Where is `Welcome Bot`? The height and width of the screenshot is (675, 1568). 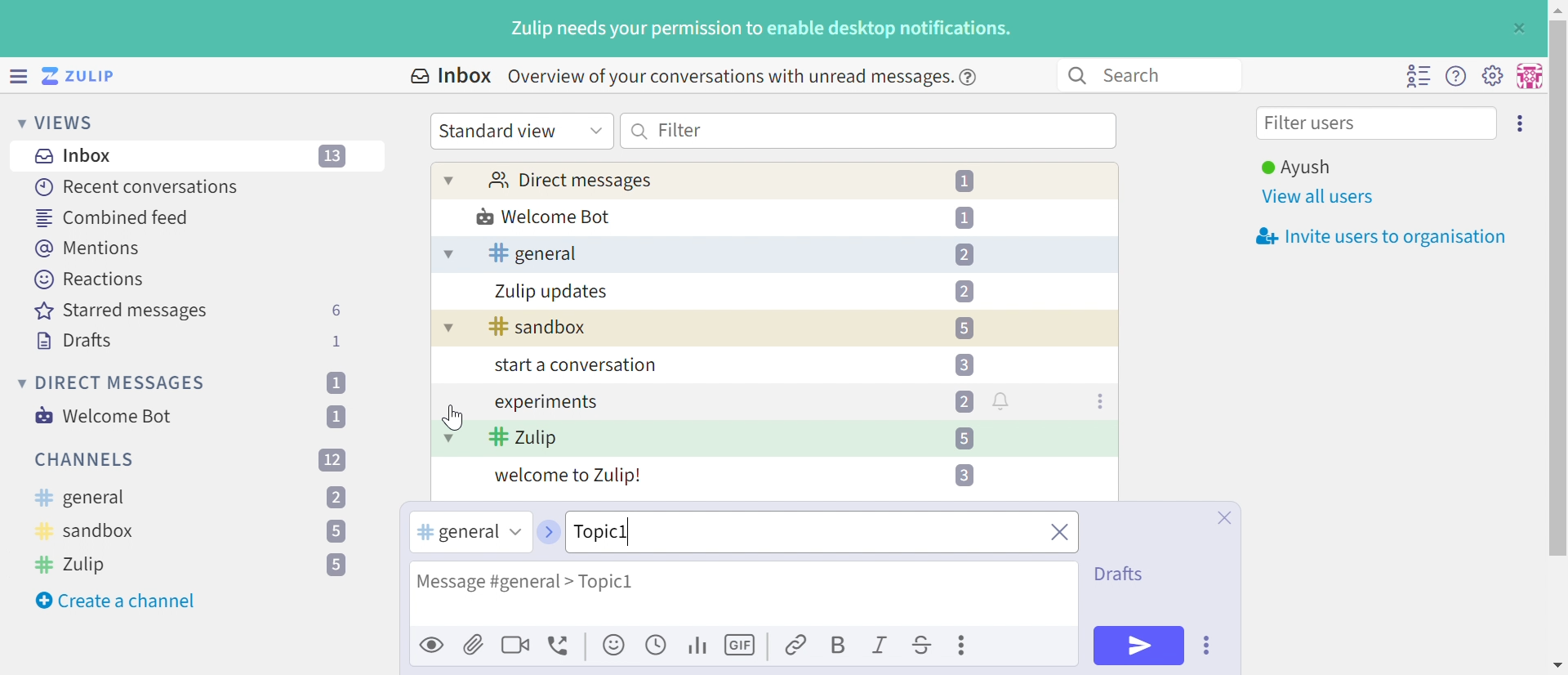
Welcome Bot is located at coordinates (105, 416).